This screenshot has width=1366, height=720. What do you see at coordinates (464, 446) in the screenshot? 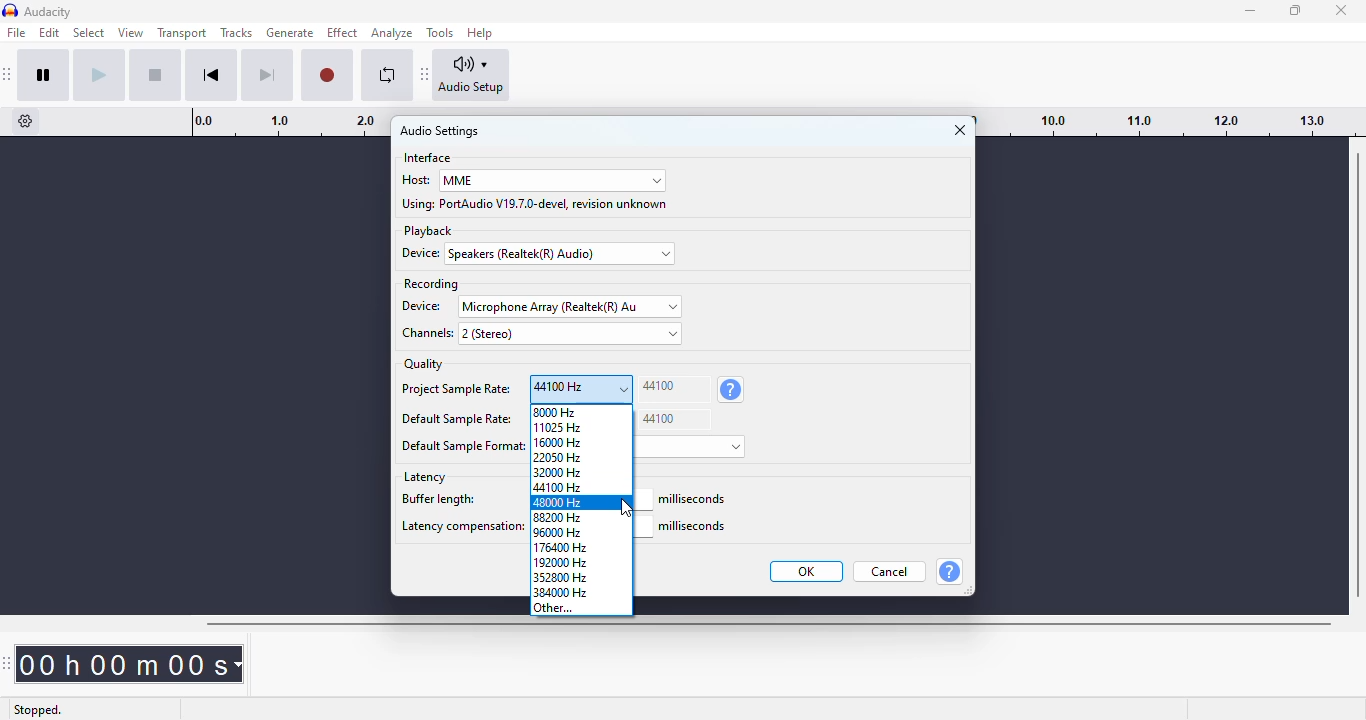
I see `` at bounding box center [464, 446].